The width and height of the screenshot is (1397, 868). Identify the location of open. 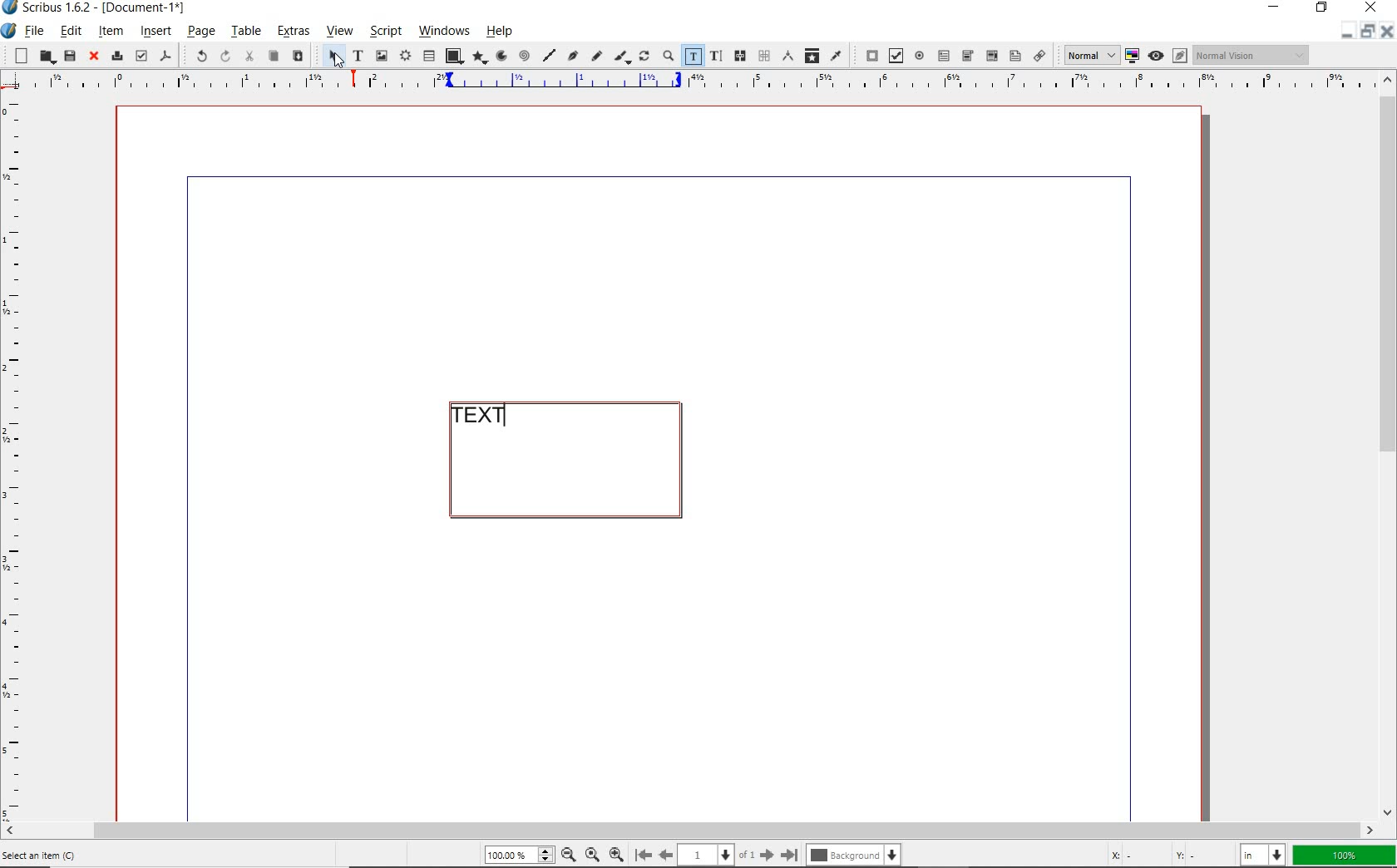
(45, 57).